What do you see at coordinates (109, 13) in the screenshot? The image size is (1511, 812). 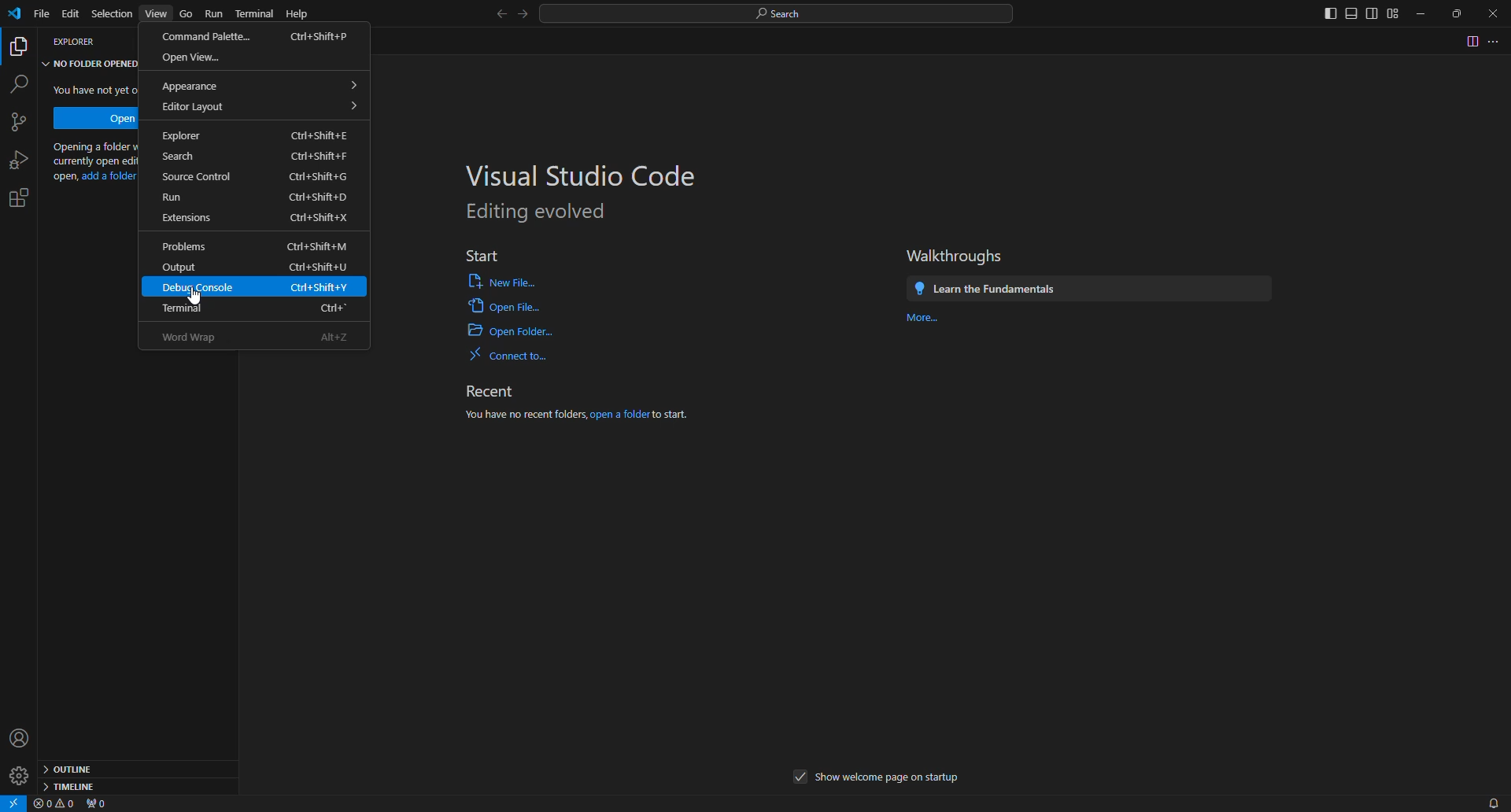 I see `Selection` at bounding box center [109, 13].